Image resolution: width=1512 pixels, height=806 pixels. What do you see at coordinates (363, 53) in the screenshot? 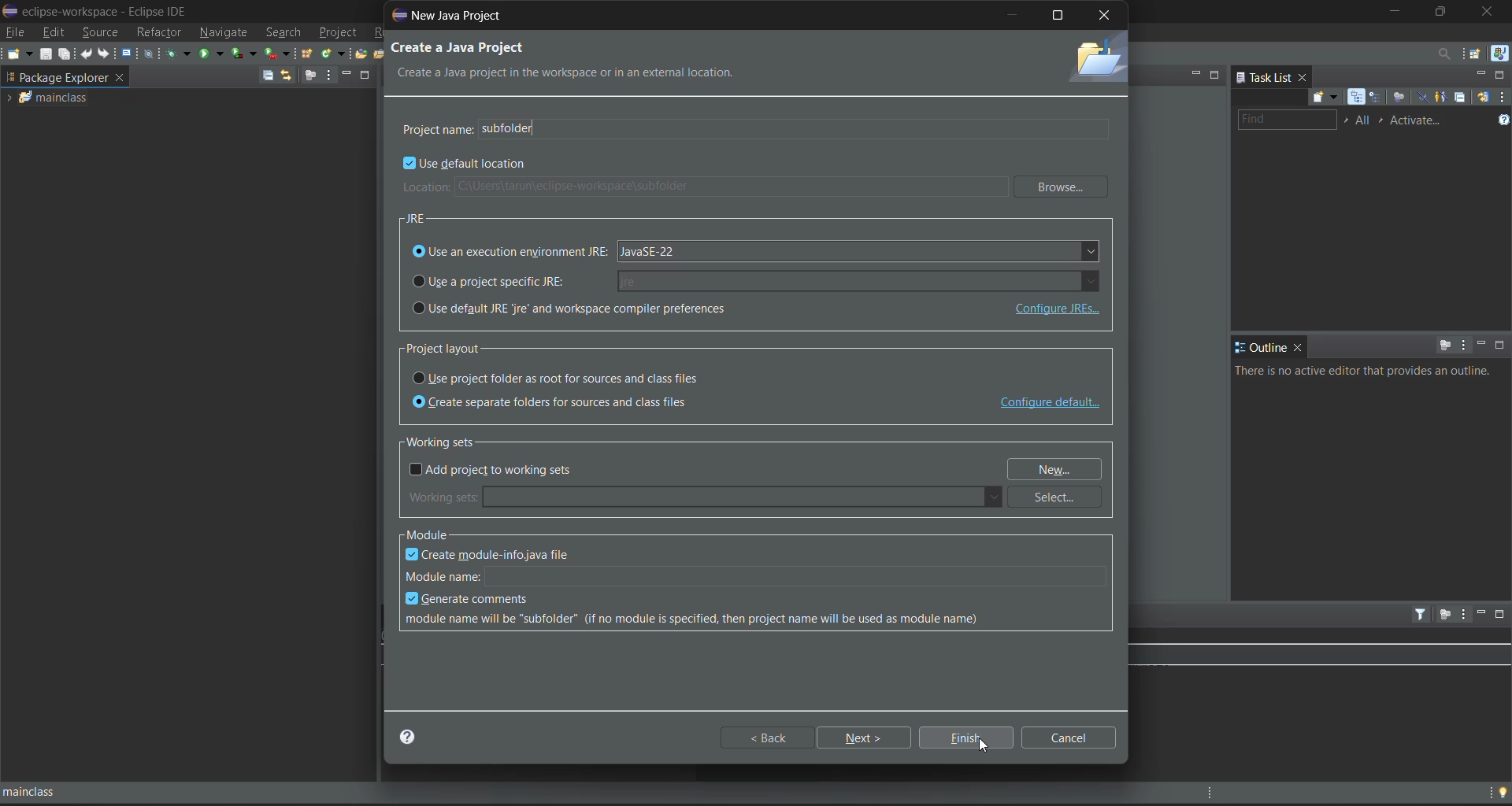
I see `open type` at bounding box center [363, 53].